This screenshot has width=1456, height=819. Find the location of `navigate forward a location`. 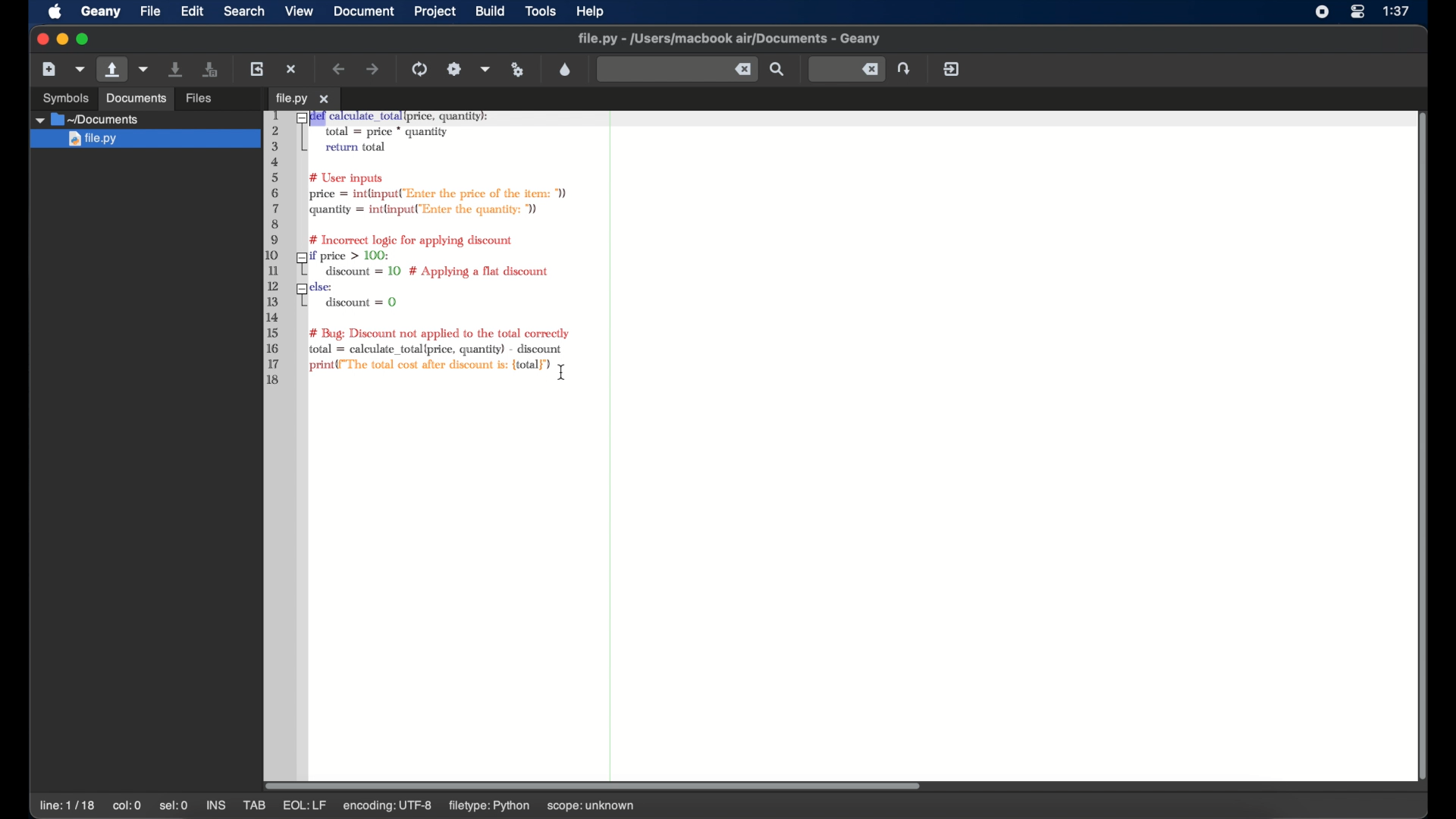

navigate forward a location is located at coordinates (373, 69).